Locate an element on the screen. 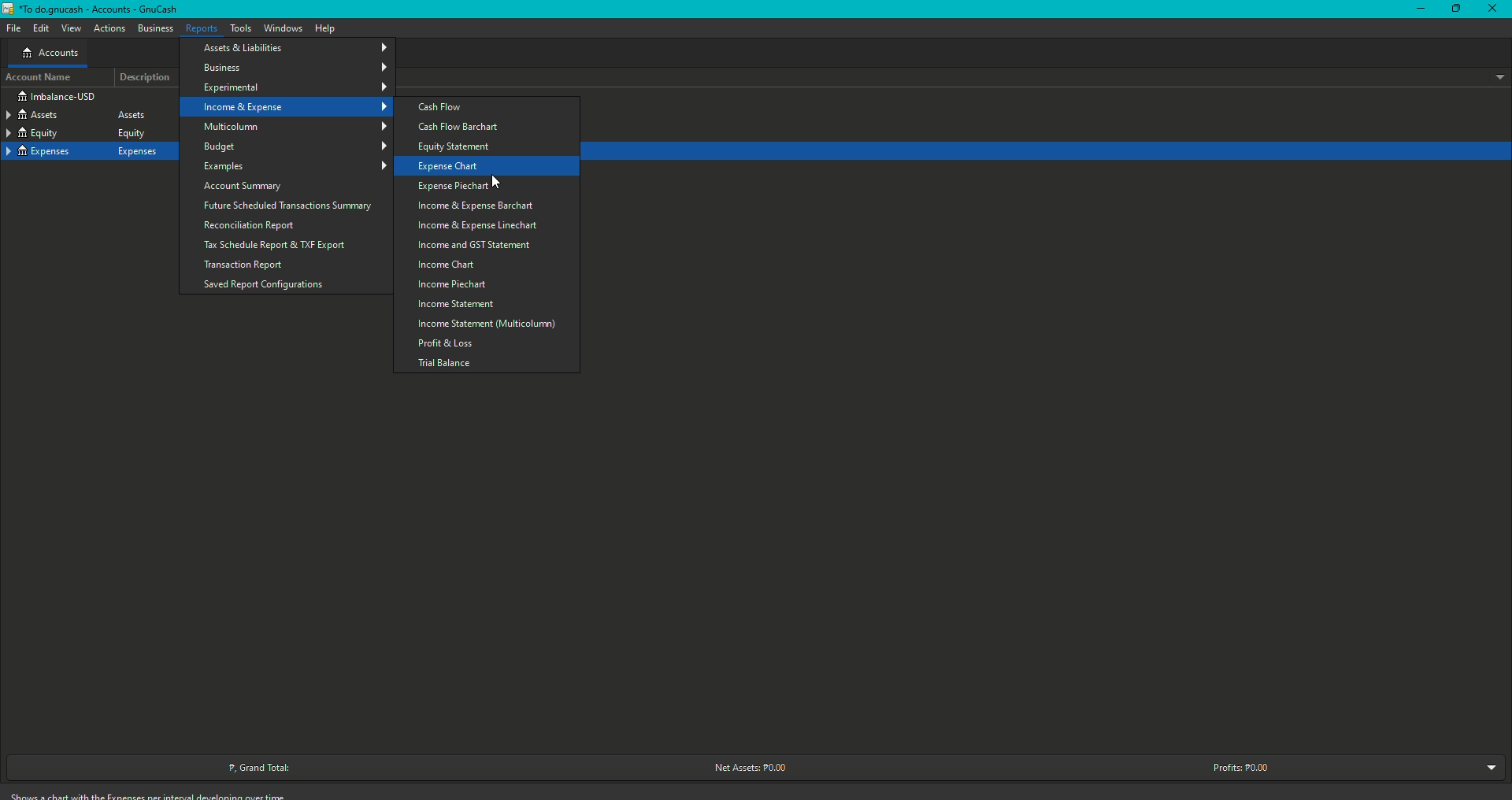 This screenshot has height=800, width=1512. Trial balance is located at coordinates (444, 365).